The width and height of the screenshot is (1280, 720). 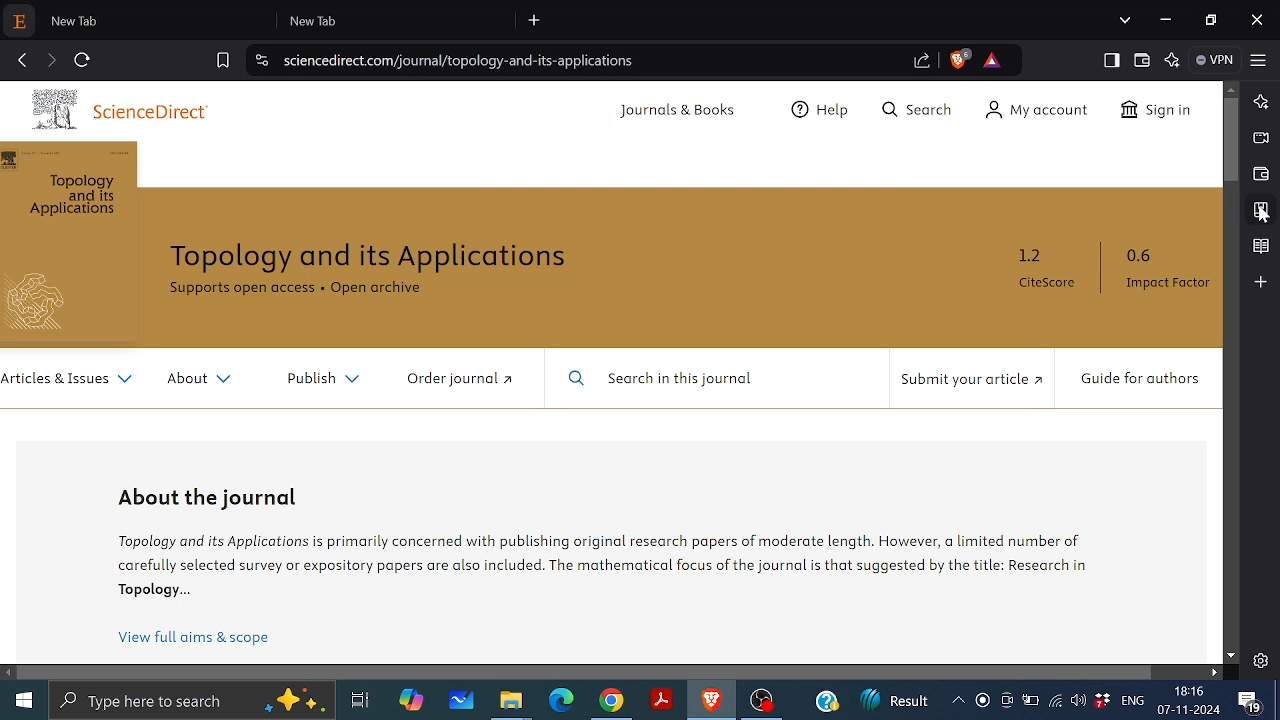 I want to click on Date and time, so click(x=1192, y=700).